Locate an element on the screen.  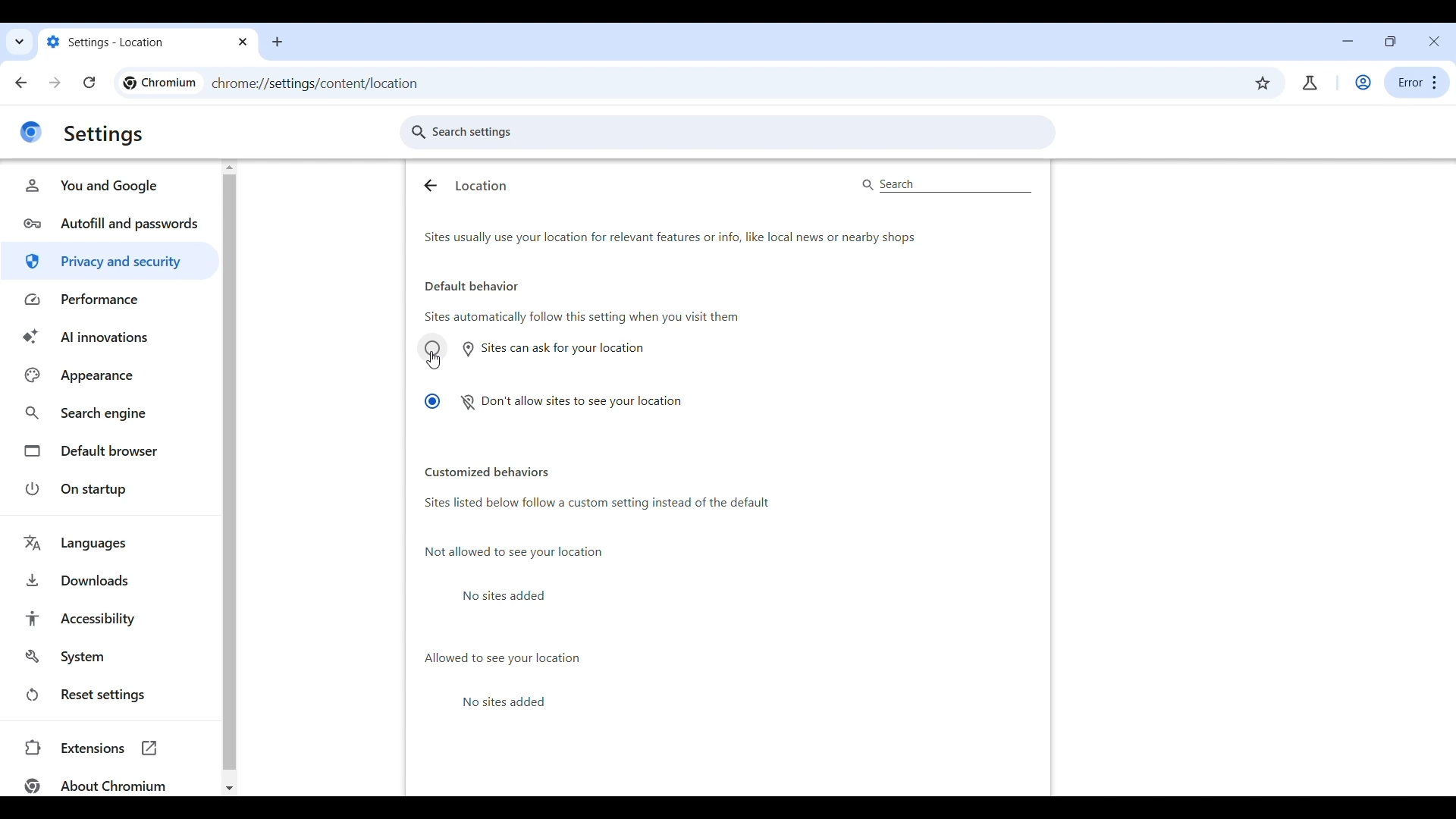
search  is located at coordinates (946, 184).